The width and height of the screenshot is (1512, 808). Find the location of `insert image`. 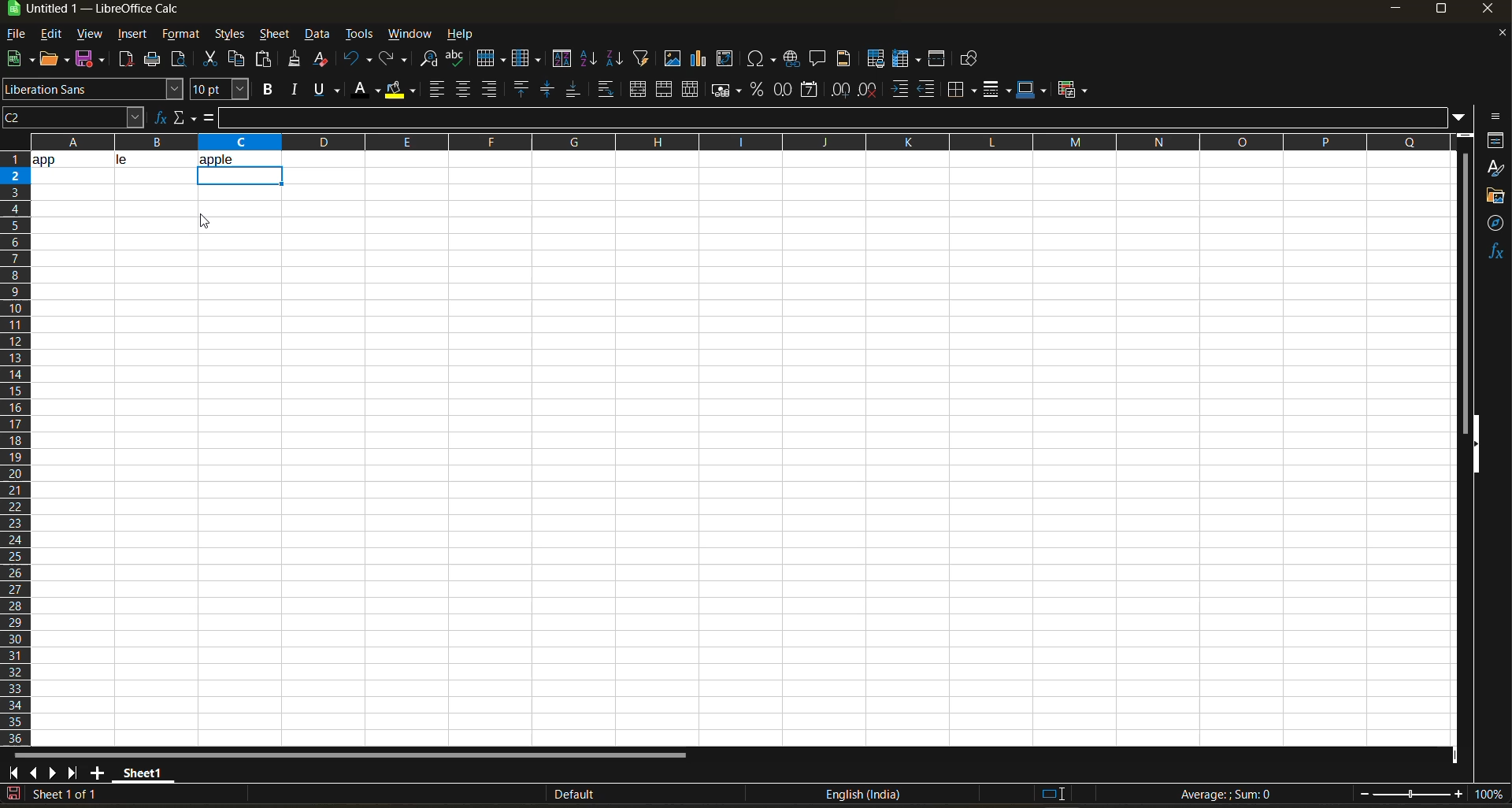

insert image is located at coordinates (672, 58).